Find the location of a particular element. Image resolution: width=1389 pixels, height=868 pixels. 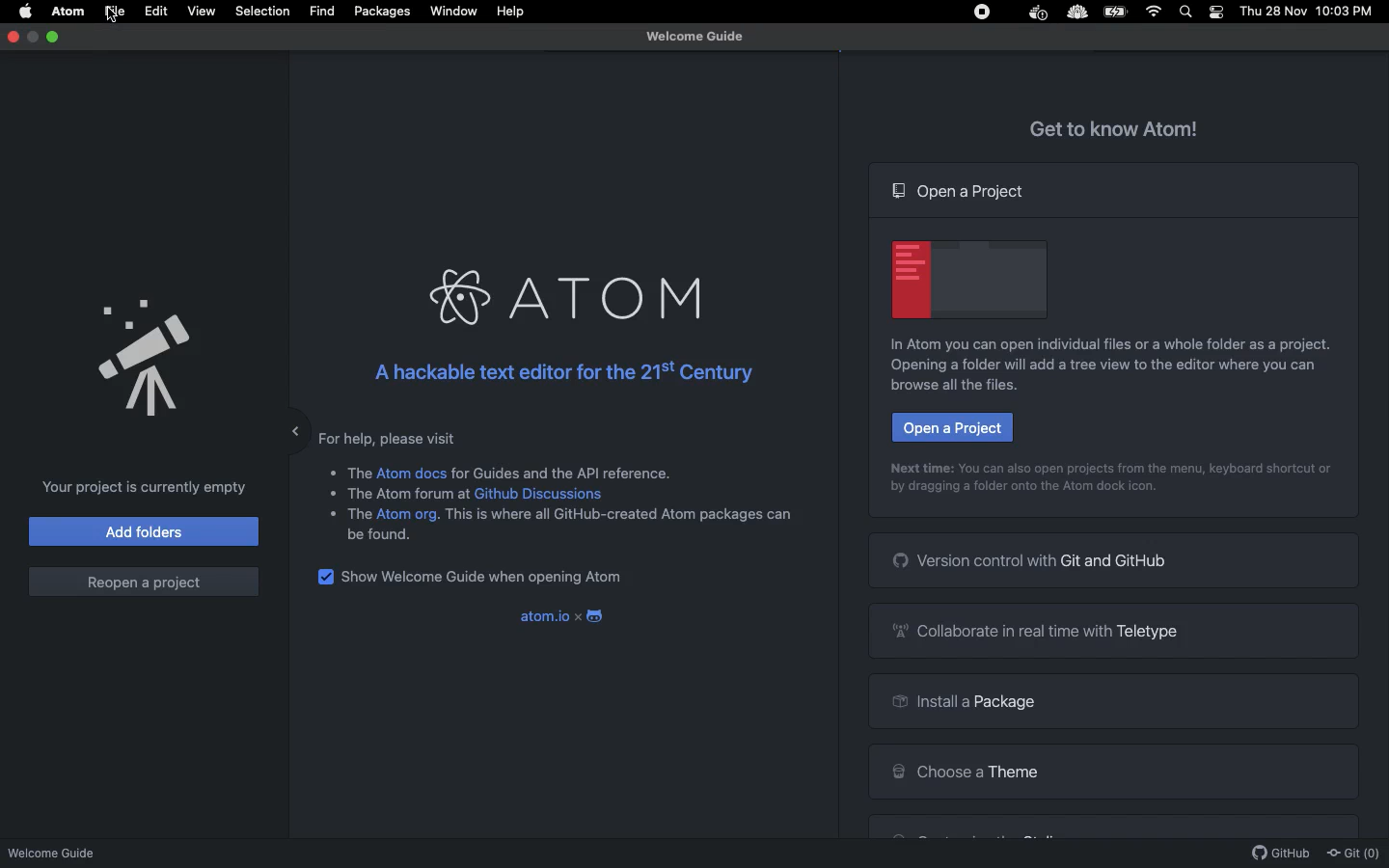

Reopen a project is located at coordinates (143, 582).